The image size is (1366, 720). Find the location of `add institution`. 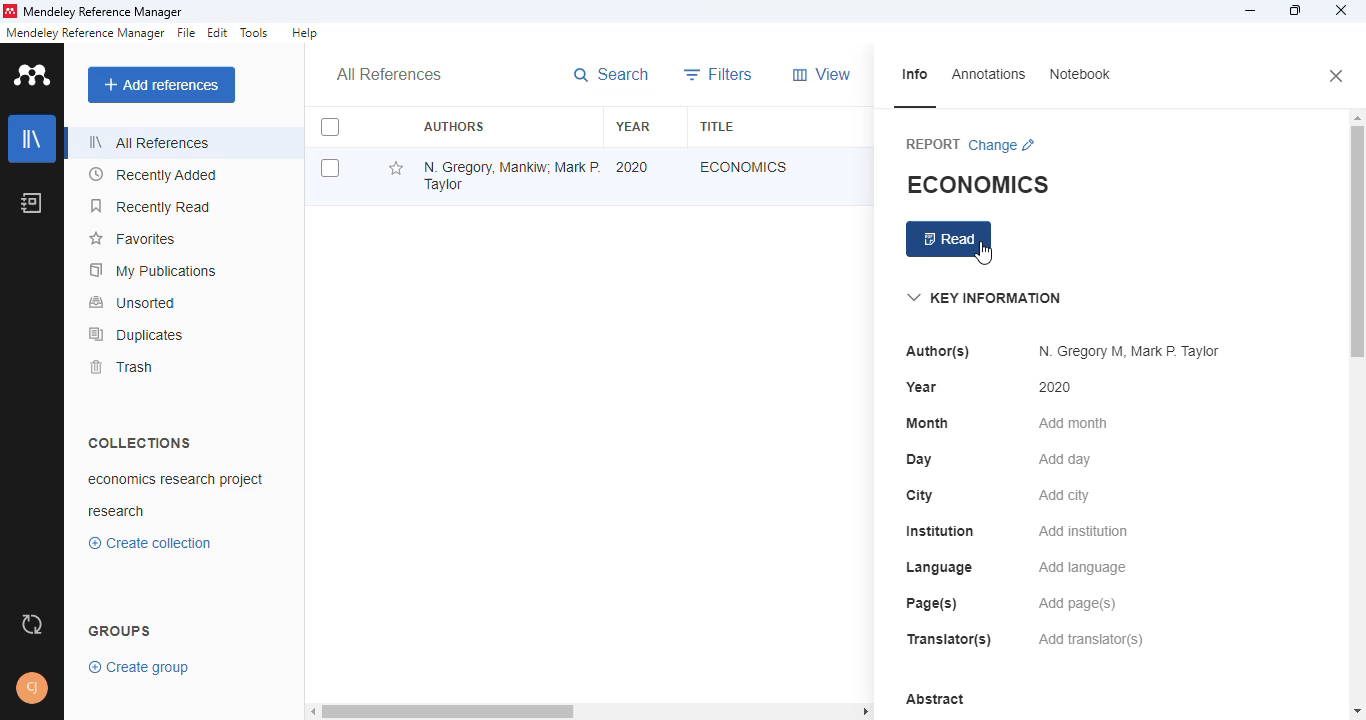

add institution is located at coordinates (1083, 531).